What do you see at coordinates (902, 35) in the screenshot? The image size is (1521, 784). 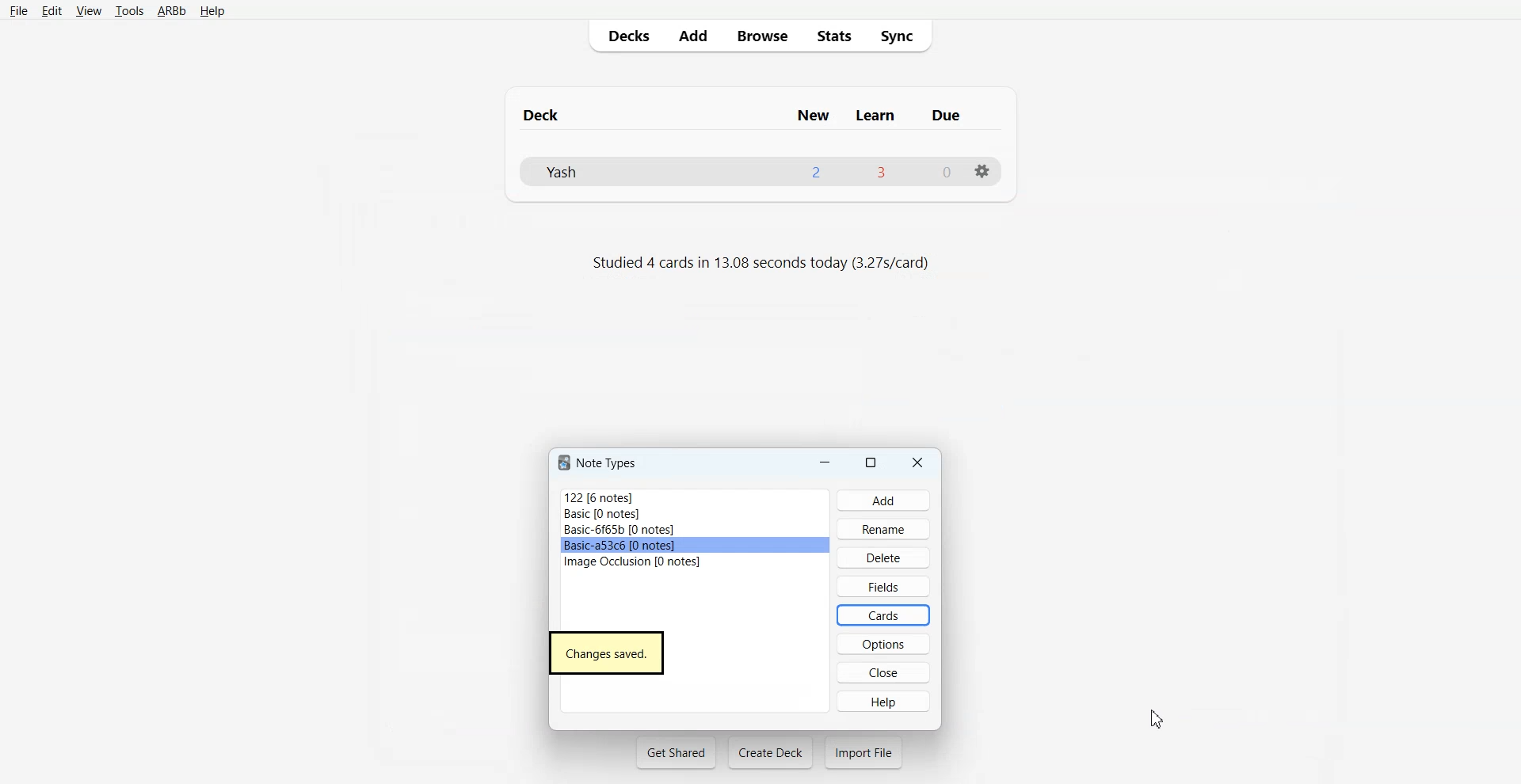 I see `Sync` at bounding box center [902, 35].